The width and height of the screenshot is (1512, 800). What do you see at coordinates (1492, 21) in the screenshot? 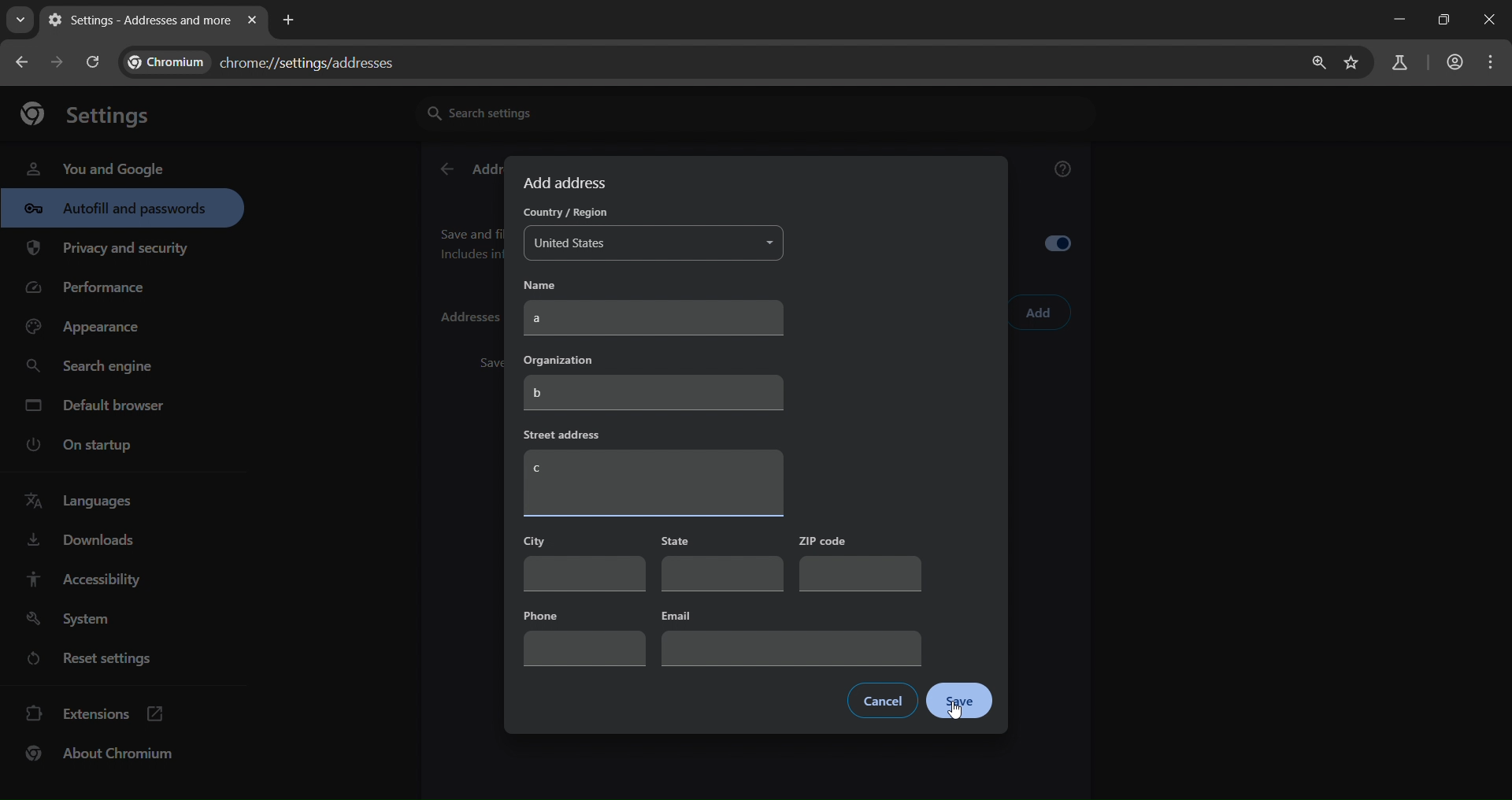
I see `close` at bounding box center [1492, 21].